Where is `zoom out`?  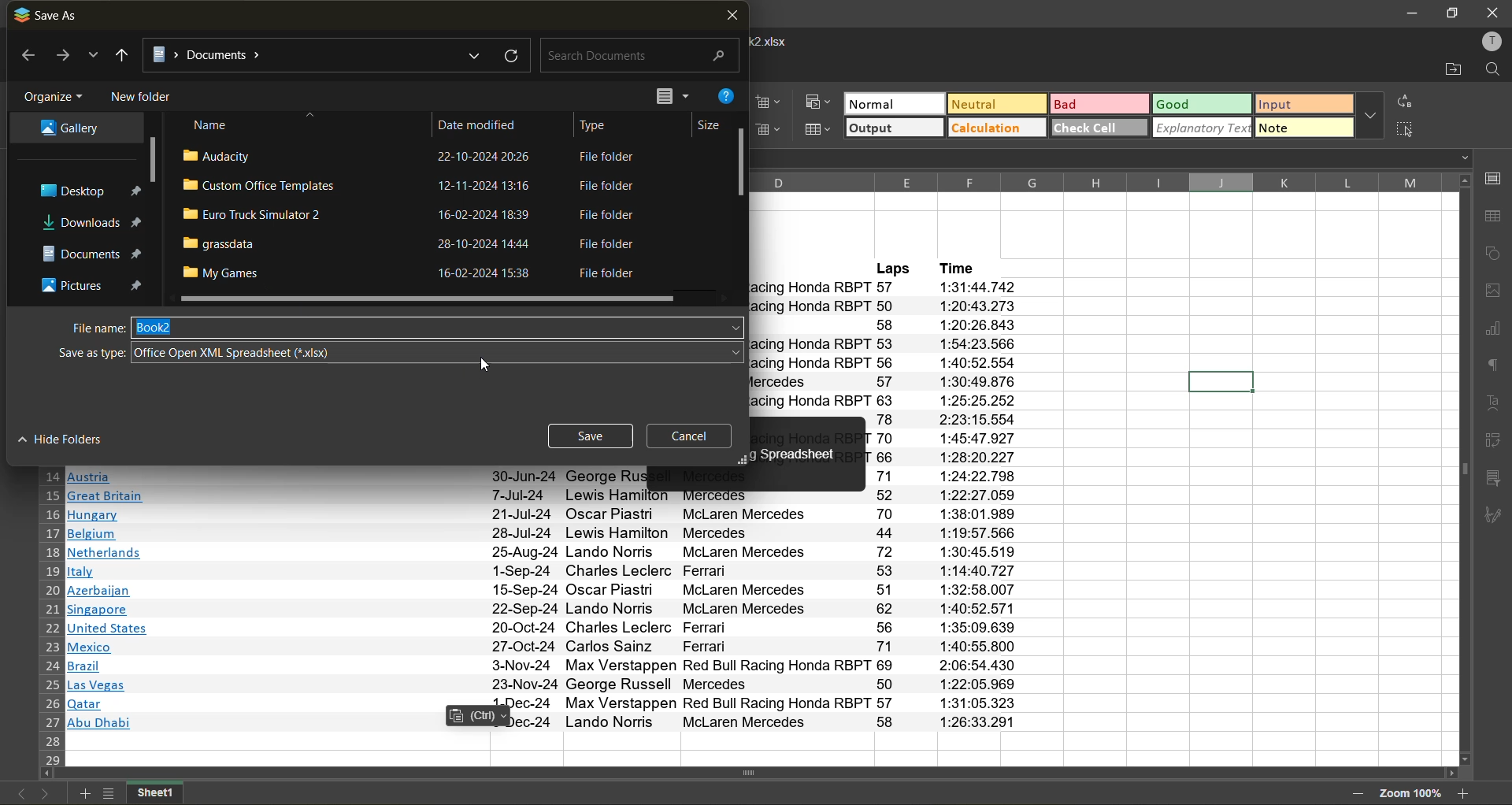 zoom out is located at coordinates (1357, 796).